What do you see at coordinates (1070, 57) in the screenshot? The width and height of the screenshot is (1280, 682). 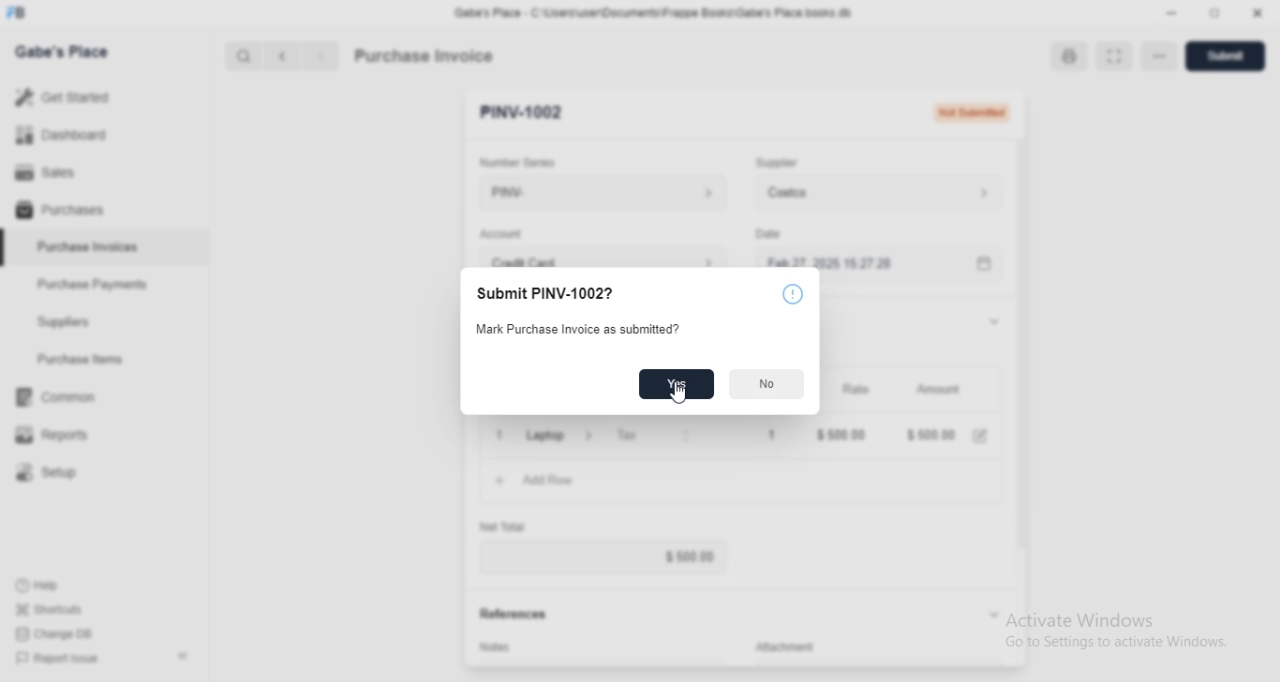 I see `Open print view` at bounding box center [1070, 57].